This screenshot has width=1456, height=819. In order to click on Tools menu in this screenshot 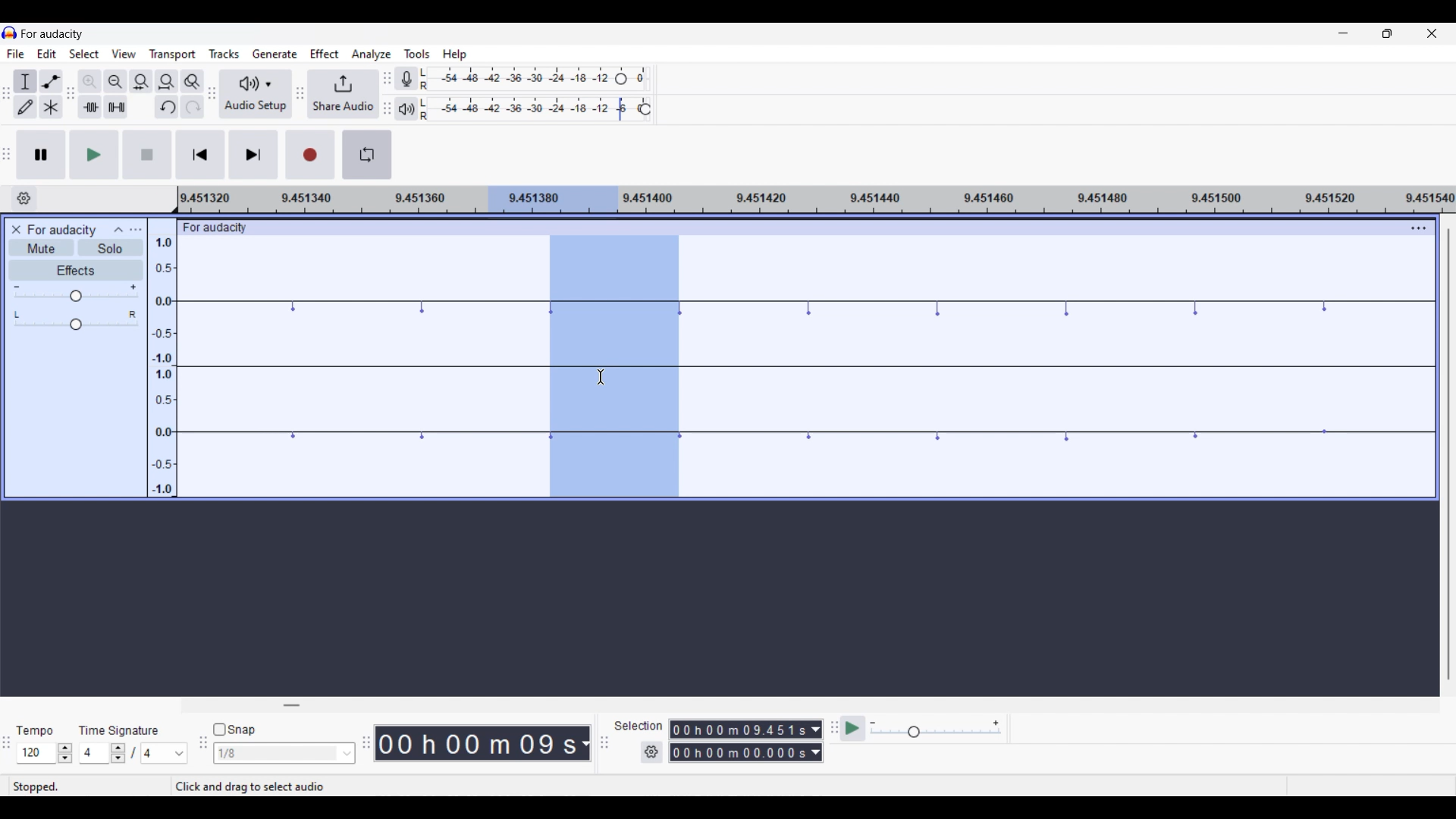, I will do `click(417, 54)`.